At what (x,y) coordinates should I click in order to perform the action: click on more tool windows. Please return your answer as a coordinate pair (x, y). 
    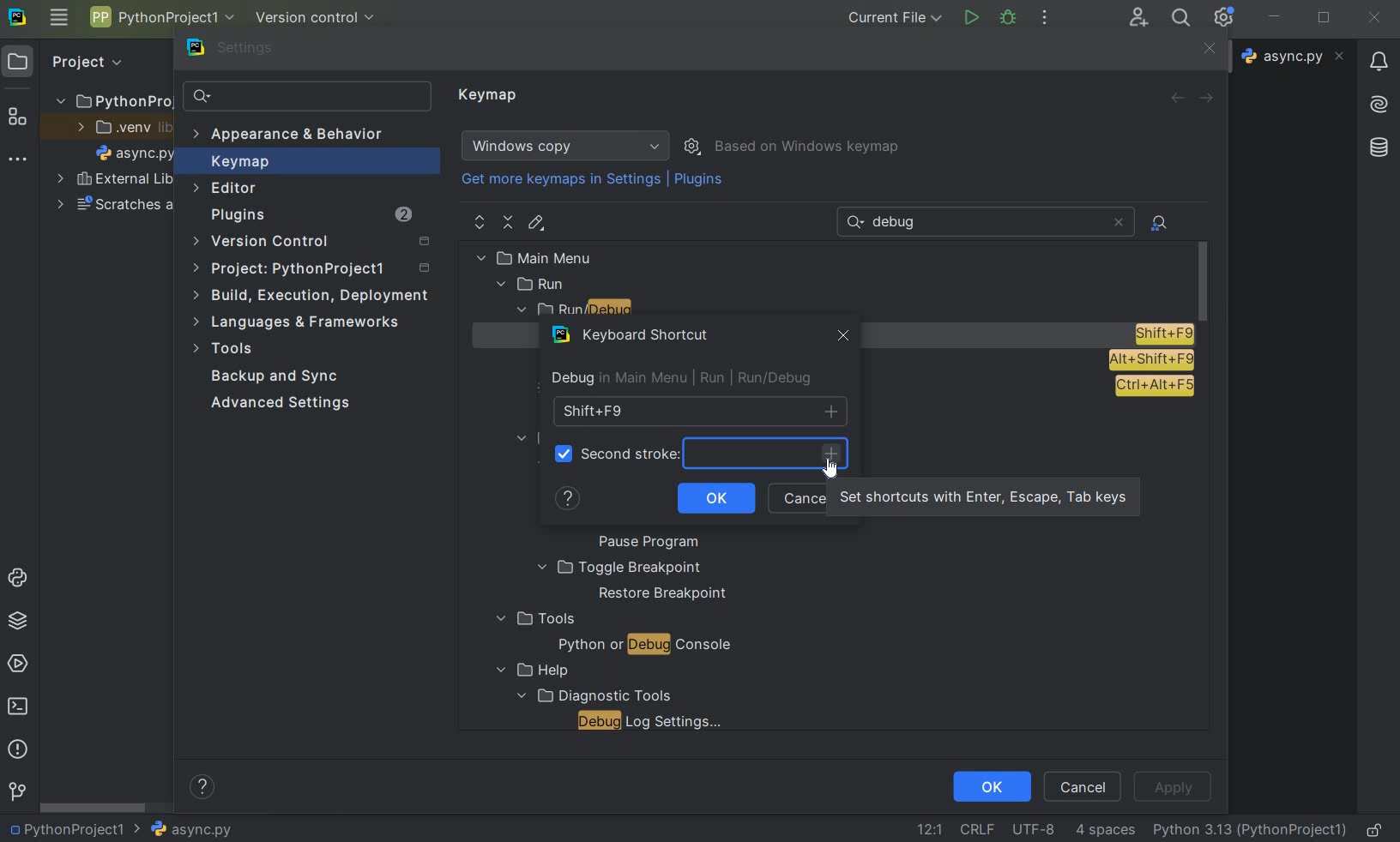
    Looking at the image, I should click on (15, 159).